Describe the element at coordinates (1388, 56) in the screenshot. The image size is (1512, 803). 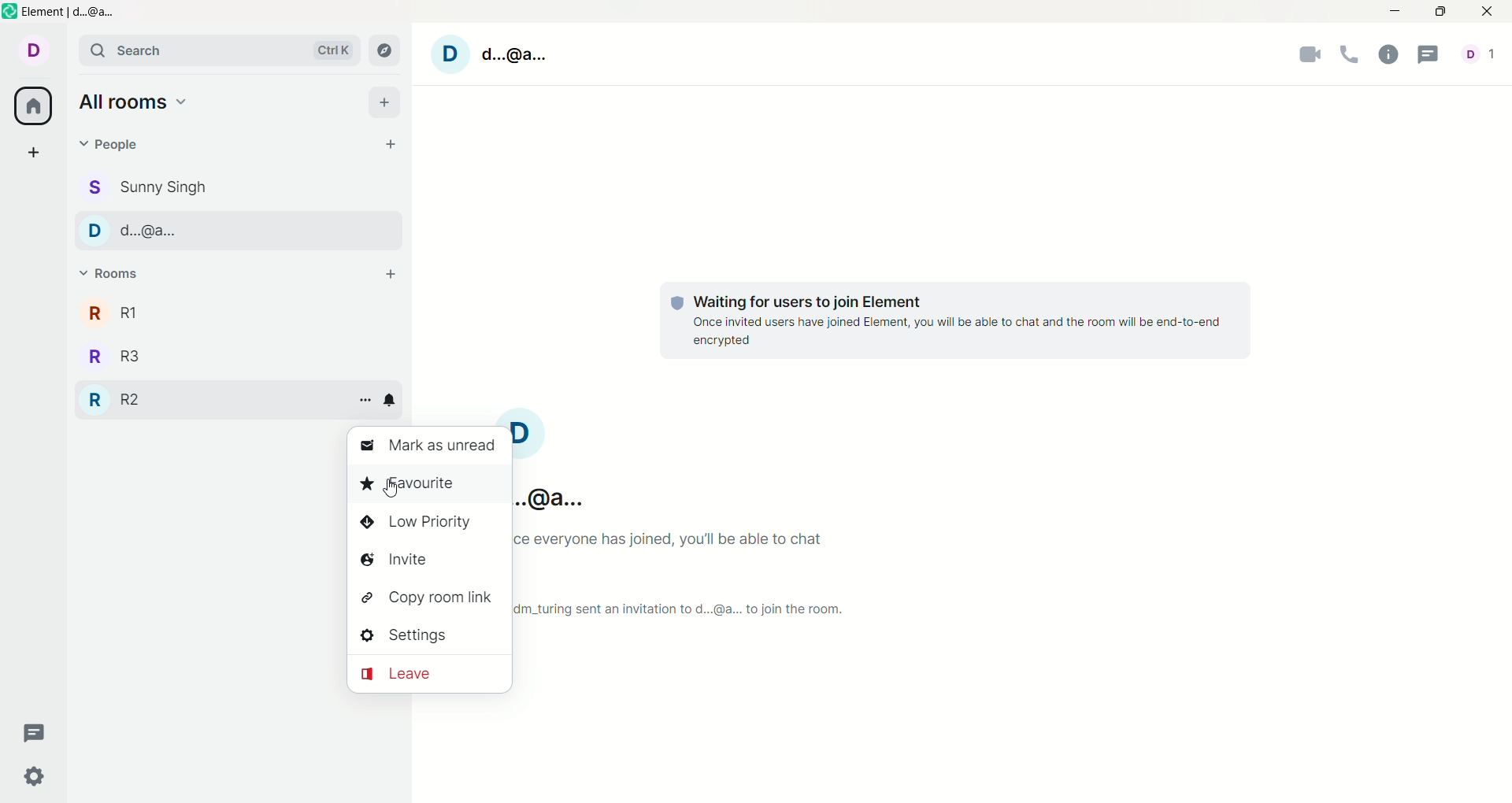
I see `room info` at that location.